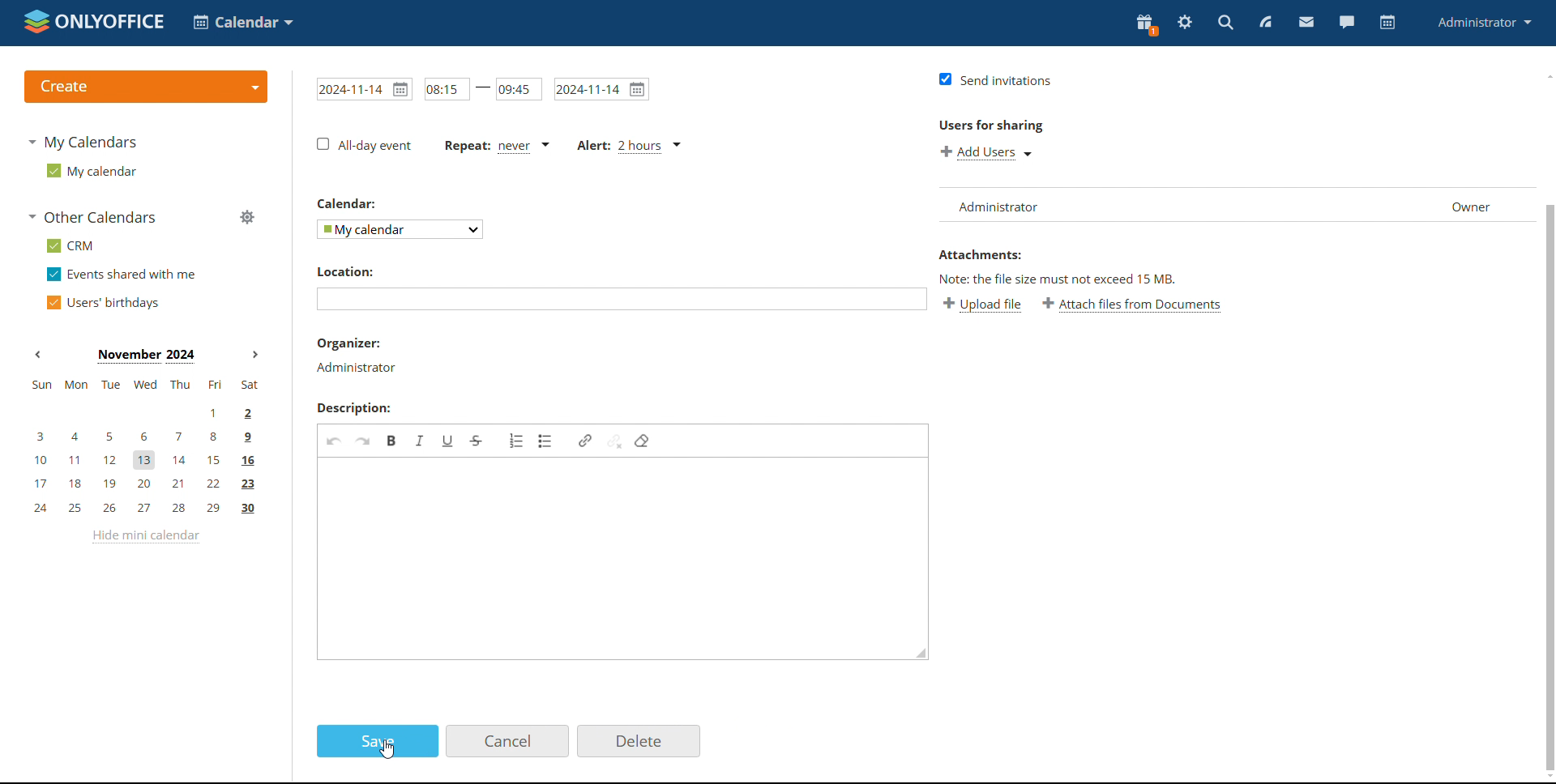 The width and height of the screenshot is (1556, 784). I want to click on delete, so click(640, 741).